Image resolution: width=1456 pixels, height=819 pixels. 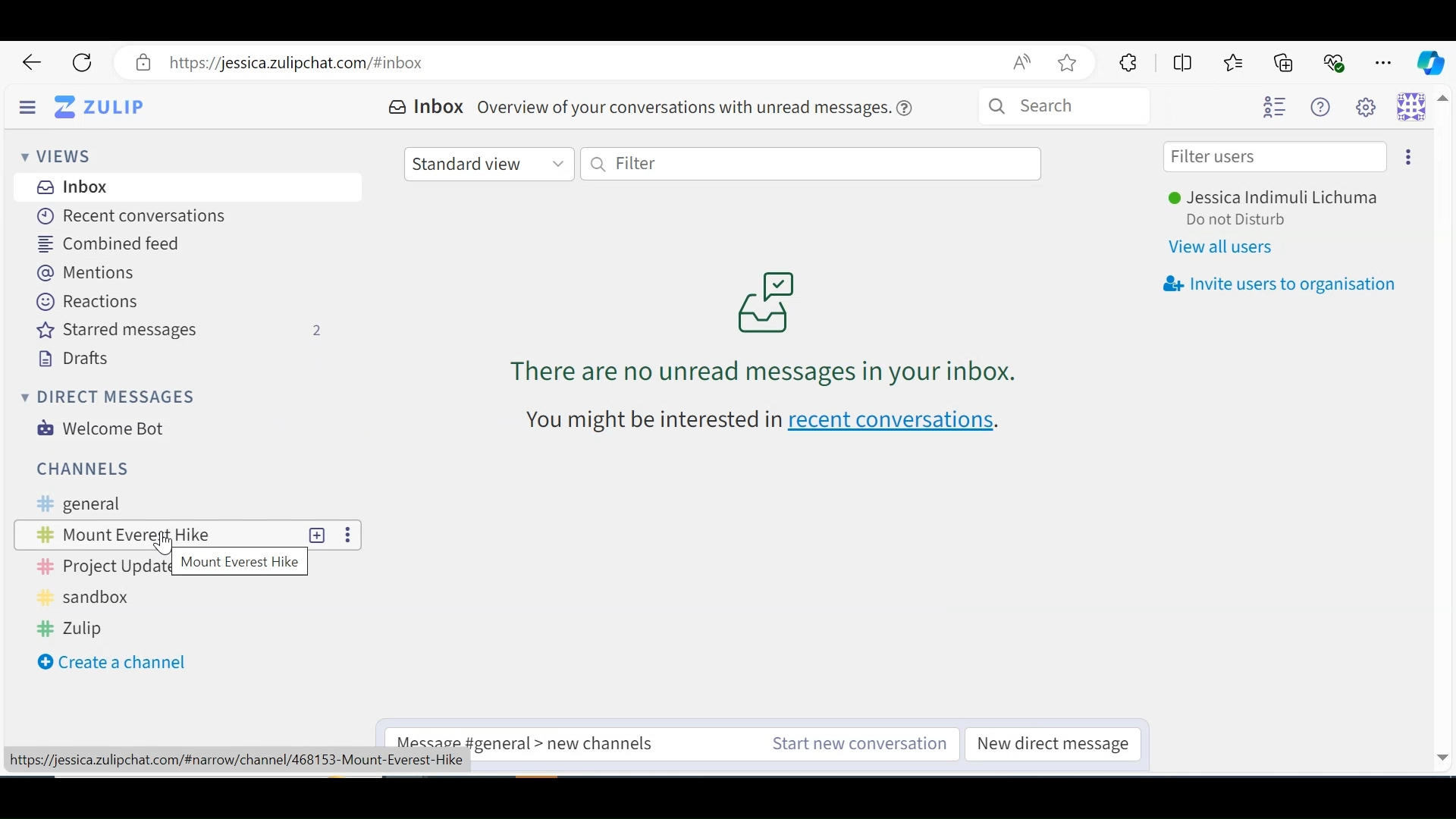 I want to click on Channel, so click(x=157, y=534).